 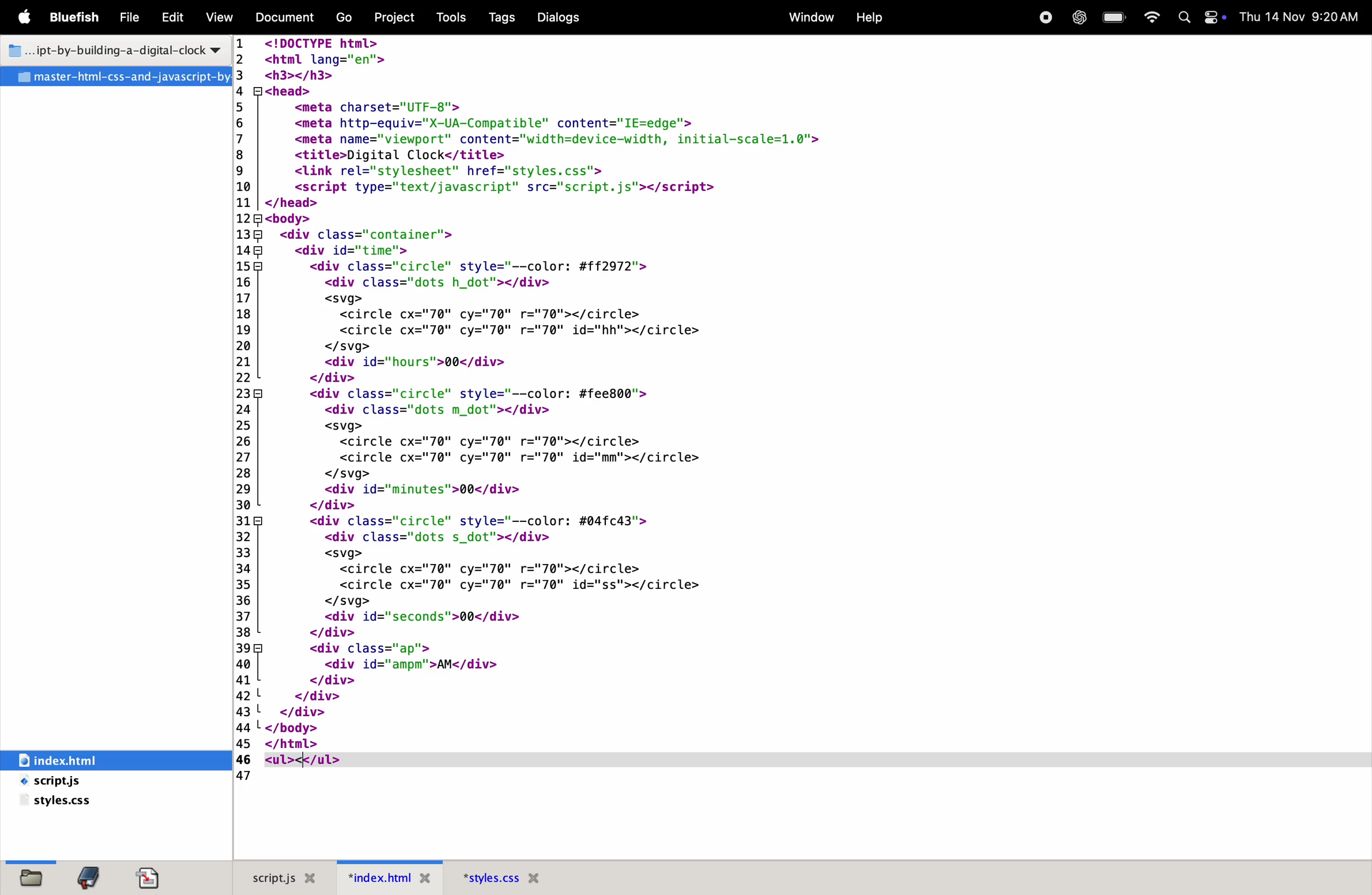 What do you see at coordinates (115, 77) in the screenshot?
I see `master` at bounding box center [115, 77].